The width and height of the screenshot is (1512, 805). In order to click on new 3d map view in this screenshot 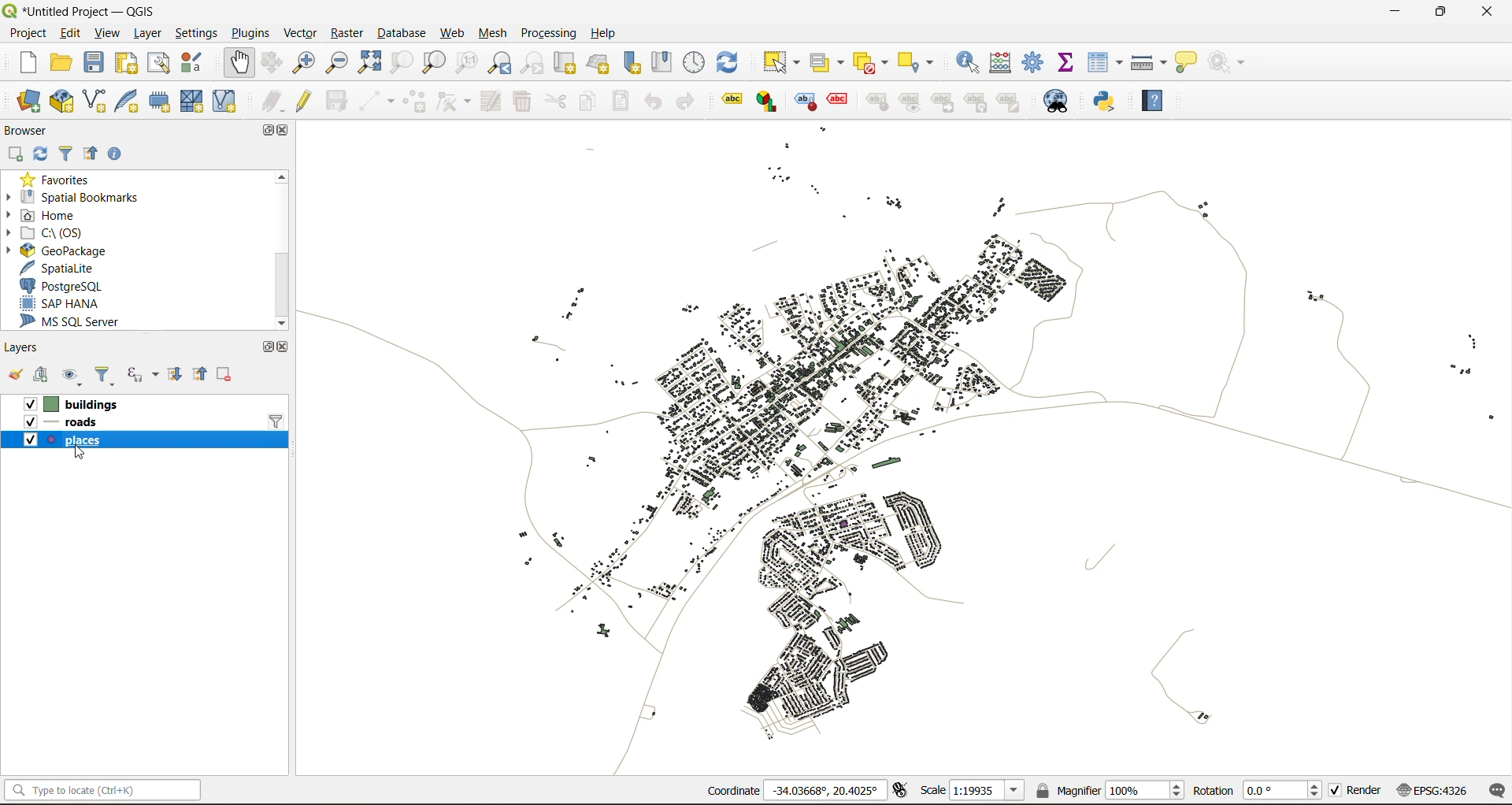, I will do `click(600, 64)`.